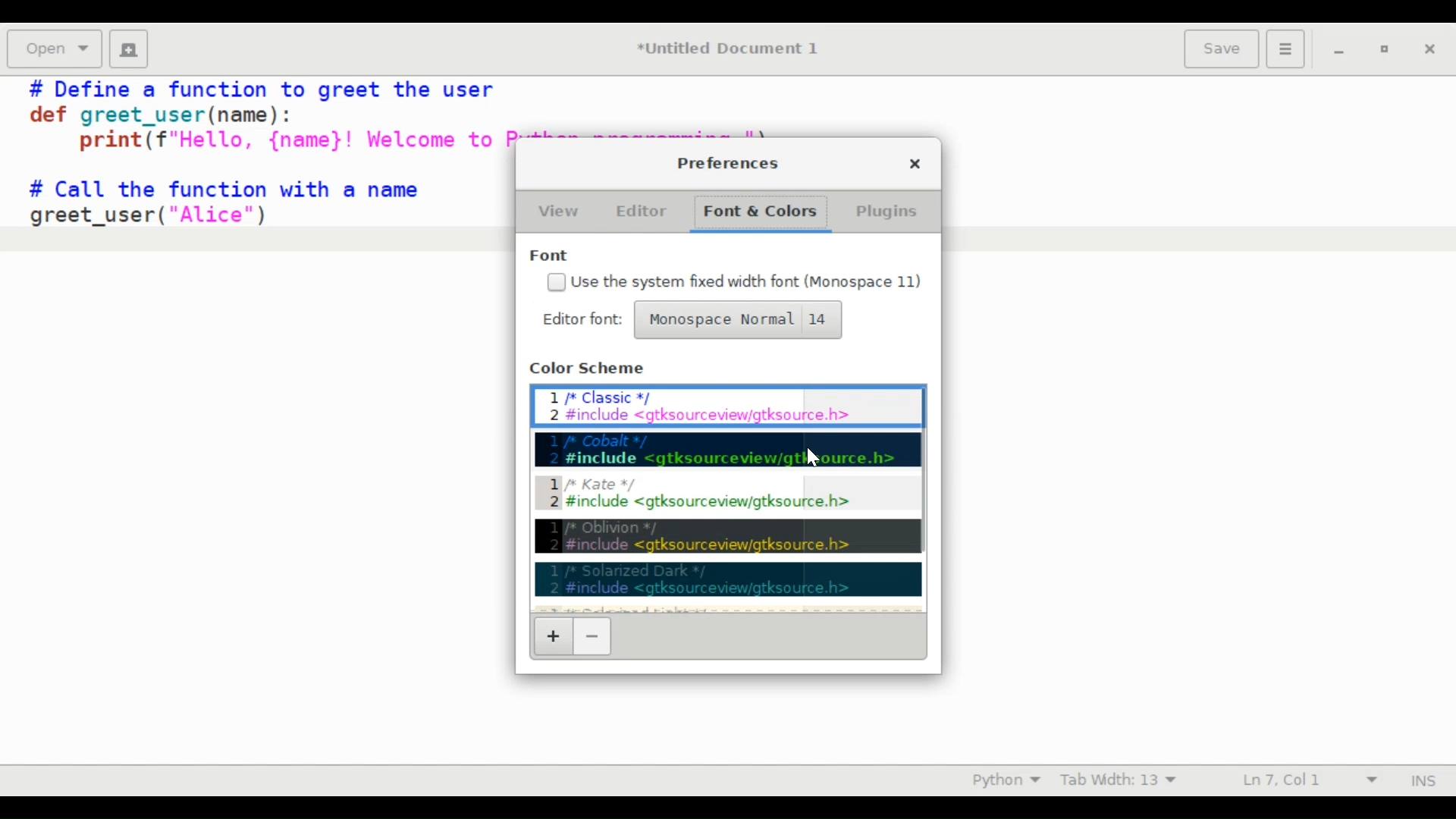 The width and height of the screenshot is (1456, 819). Describe the element at coordinates (1005, 780) in the screenshot. I see `Highlighting mode` at that location.